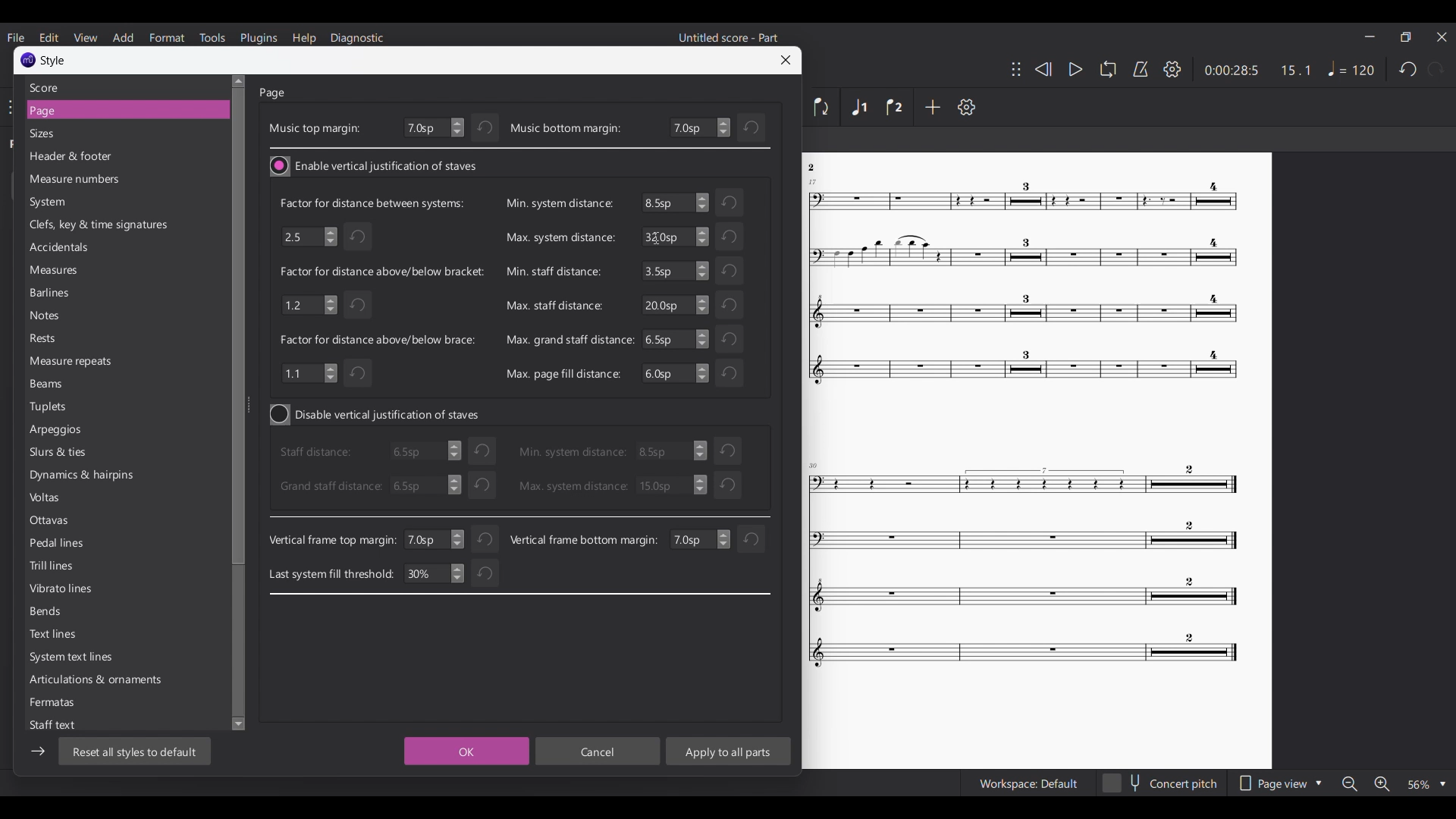 The height and width of the screenshot is (819, 1456). I want to click on Undo, so click(483, 484).